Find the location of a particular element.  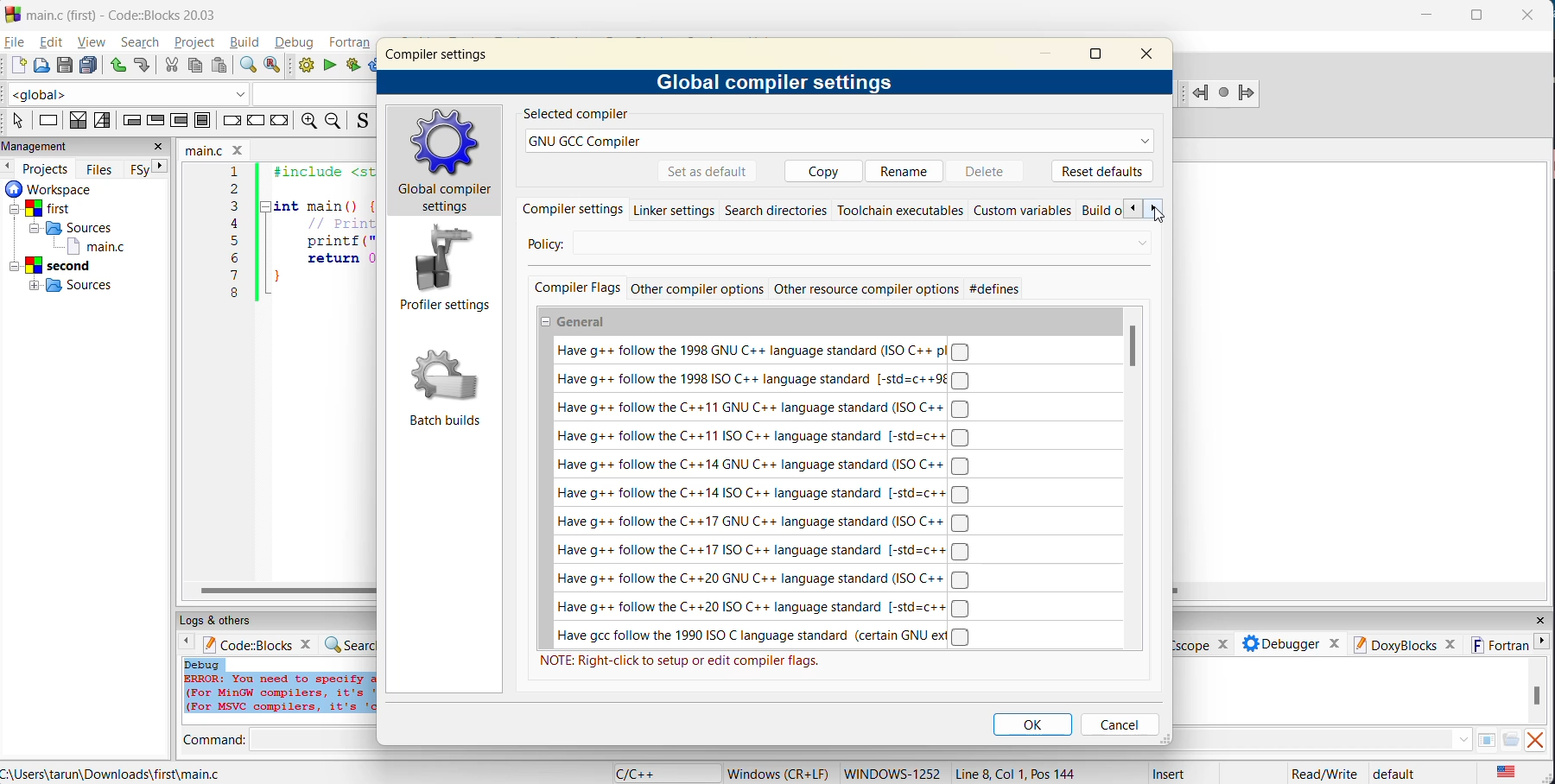

save is located at coordinates (65, 66).